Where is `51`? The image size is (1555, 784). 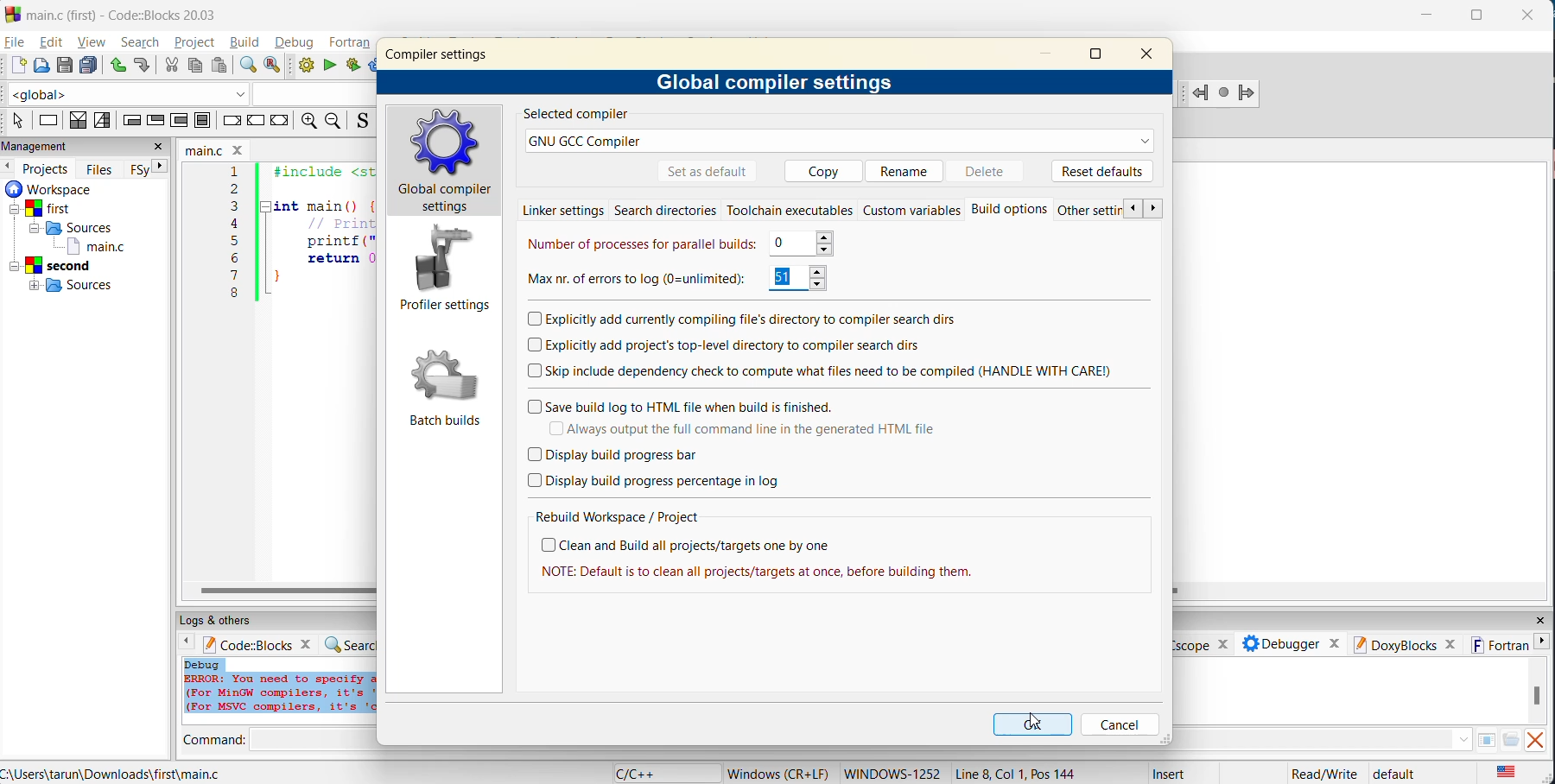
51 is located at coordinates (803, 278).